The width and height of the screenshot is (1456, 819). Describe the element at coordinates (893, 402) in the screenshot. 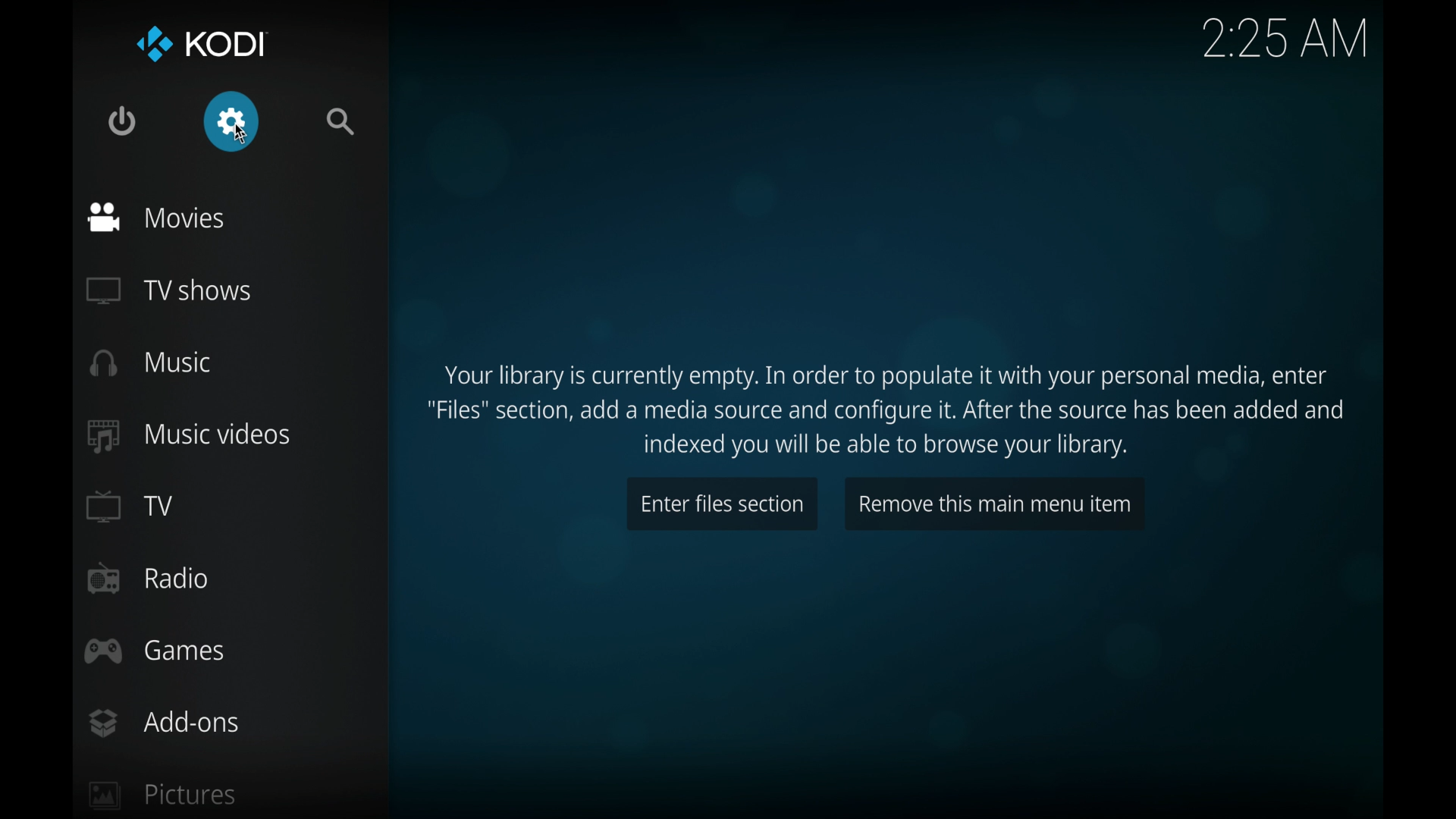

I see `Your library is currently empty. In order to populate it with your personal media, enter
Files" section, add a media source and configure it. After the source has been added and
indexed you will be able to browse your library.` at that location.